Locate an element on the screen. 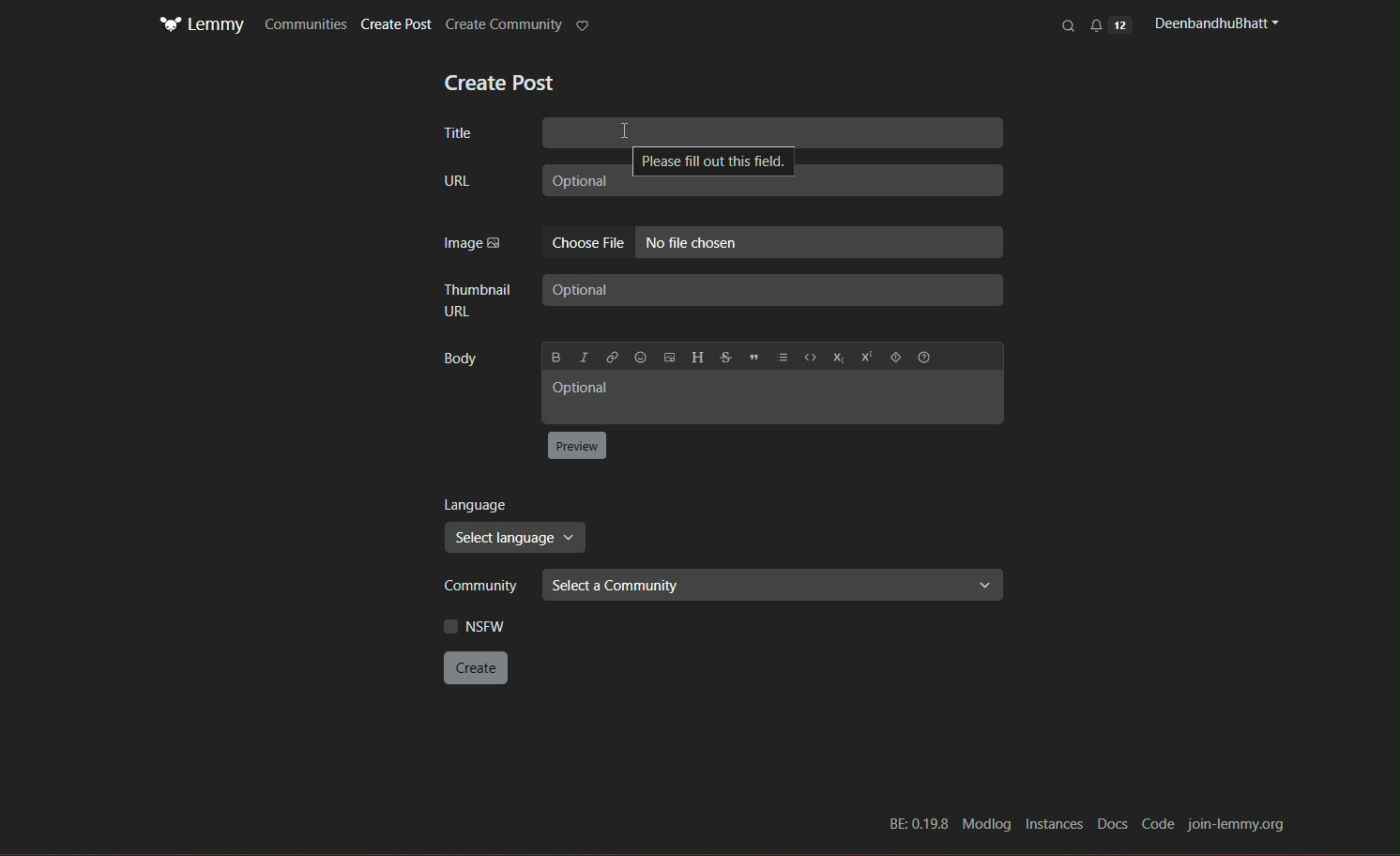 This screenshot has height=856, width=1400. highlight is located at coordinates (585, 27).